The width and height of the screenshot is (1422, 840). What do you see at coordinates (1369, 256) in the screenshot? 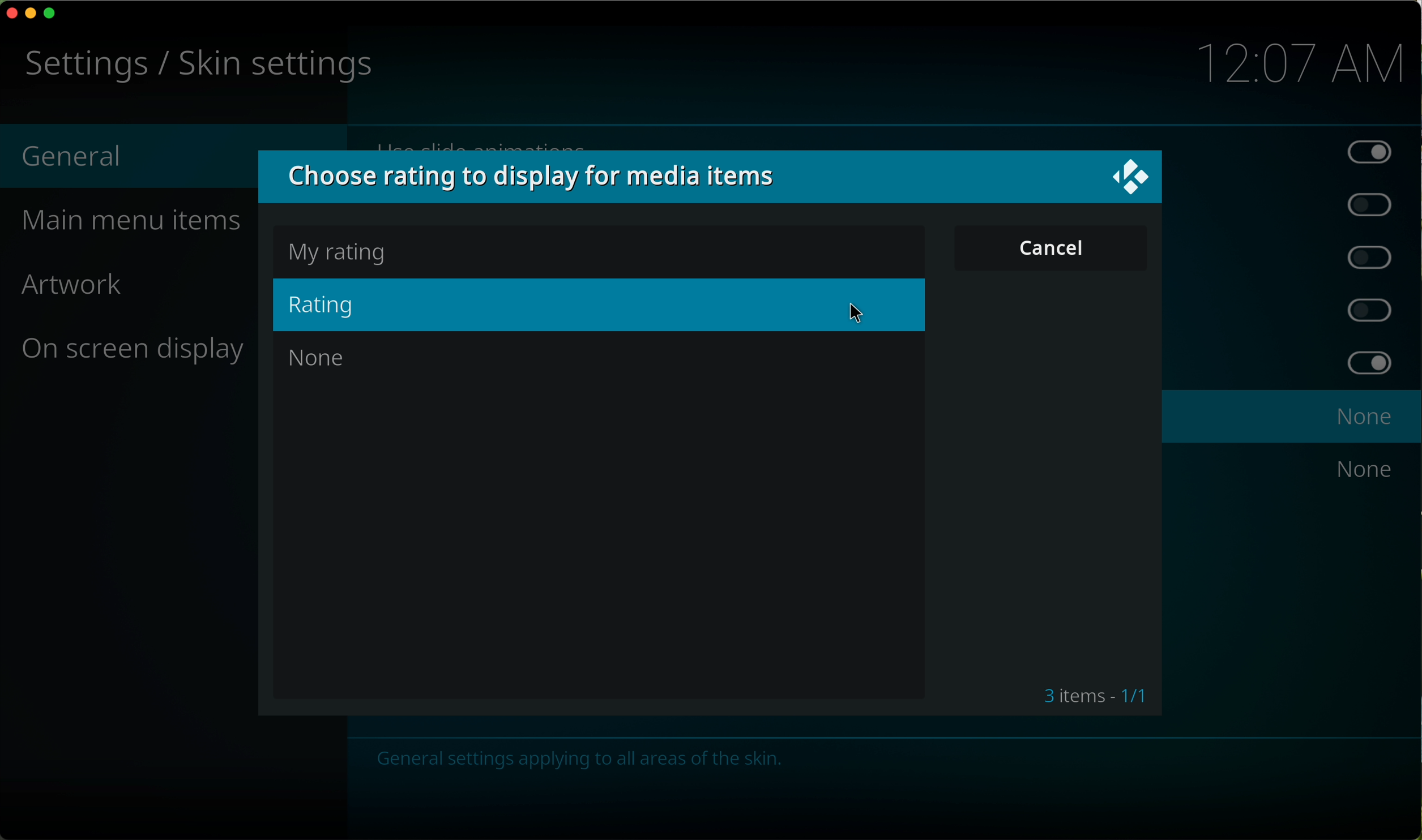
I see `touch mode` at bounding box center [1369, 256].